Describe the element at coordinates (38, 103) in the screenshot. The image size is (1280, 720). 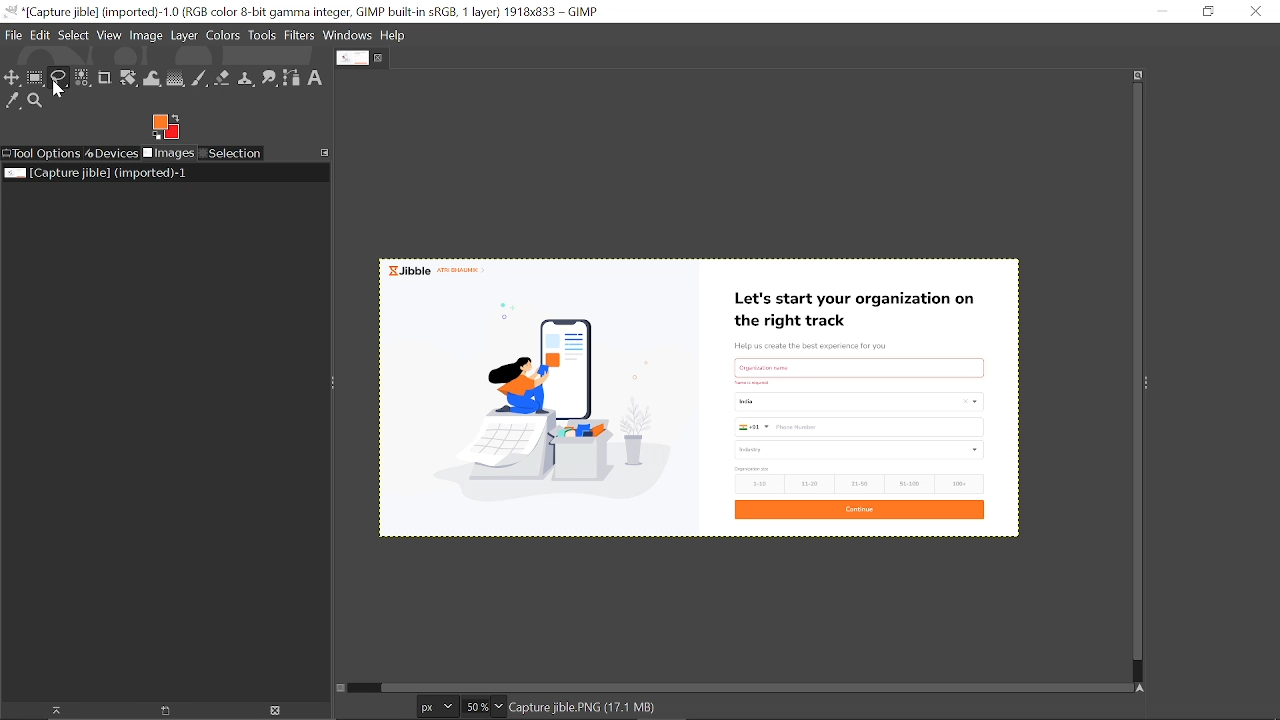
I see `Zoom tool` at that location.